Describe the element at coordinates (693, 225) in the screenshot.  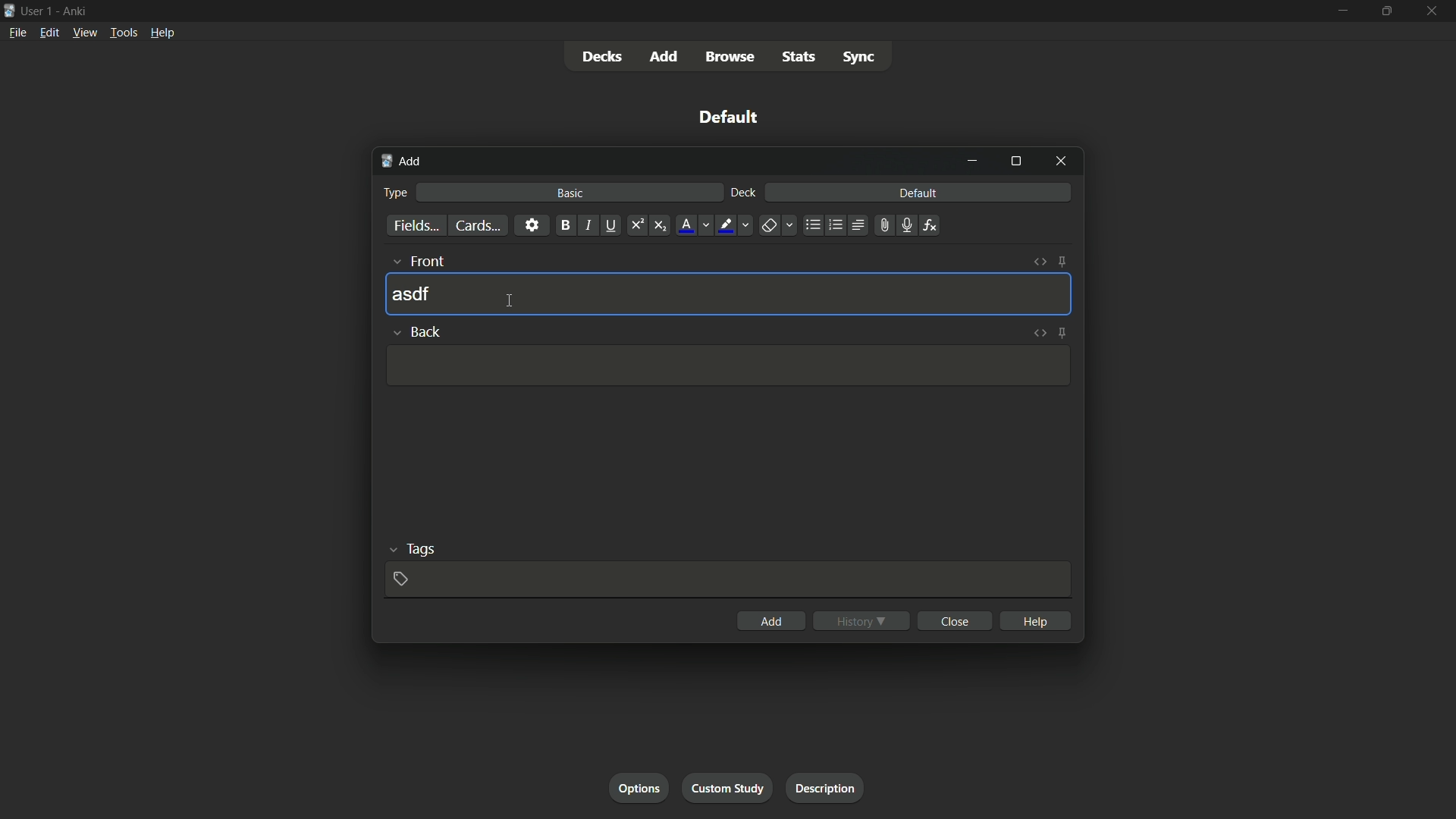
I see `font color` at that location.